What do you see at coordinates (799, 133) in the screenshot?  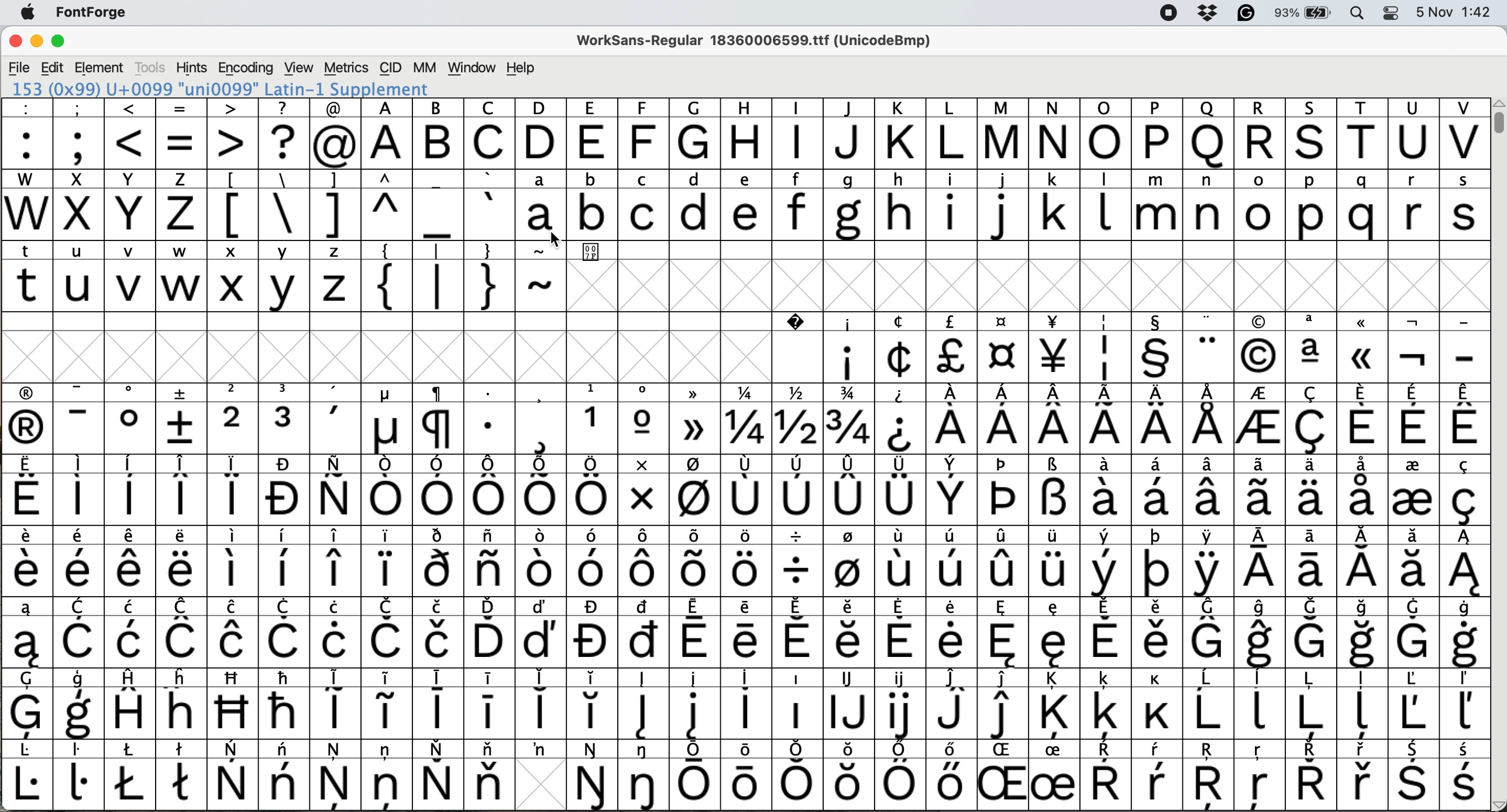 I see `I` at bounding box center [799, 133].